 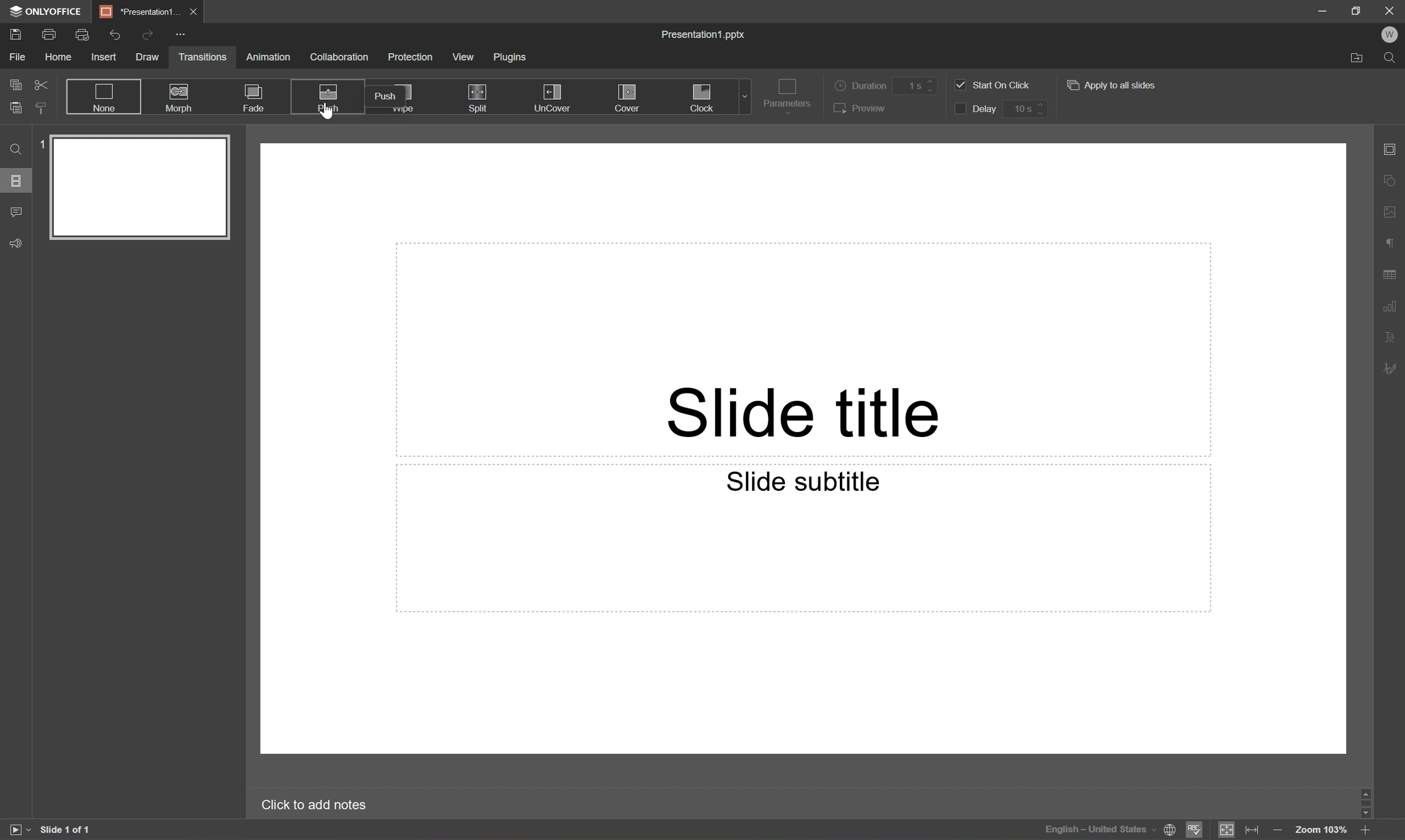 What do you see at coordinates (402, 113) in the screenshot?
I see `Wipe` at bounding box center [402, 113].